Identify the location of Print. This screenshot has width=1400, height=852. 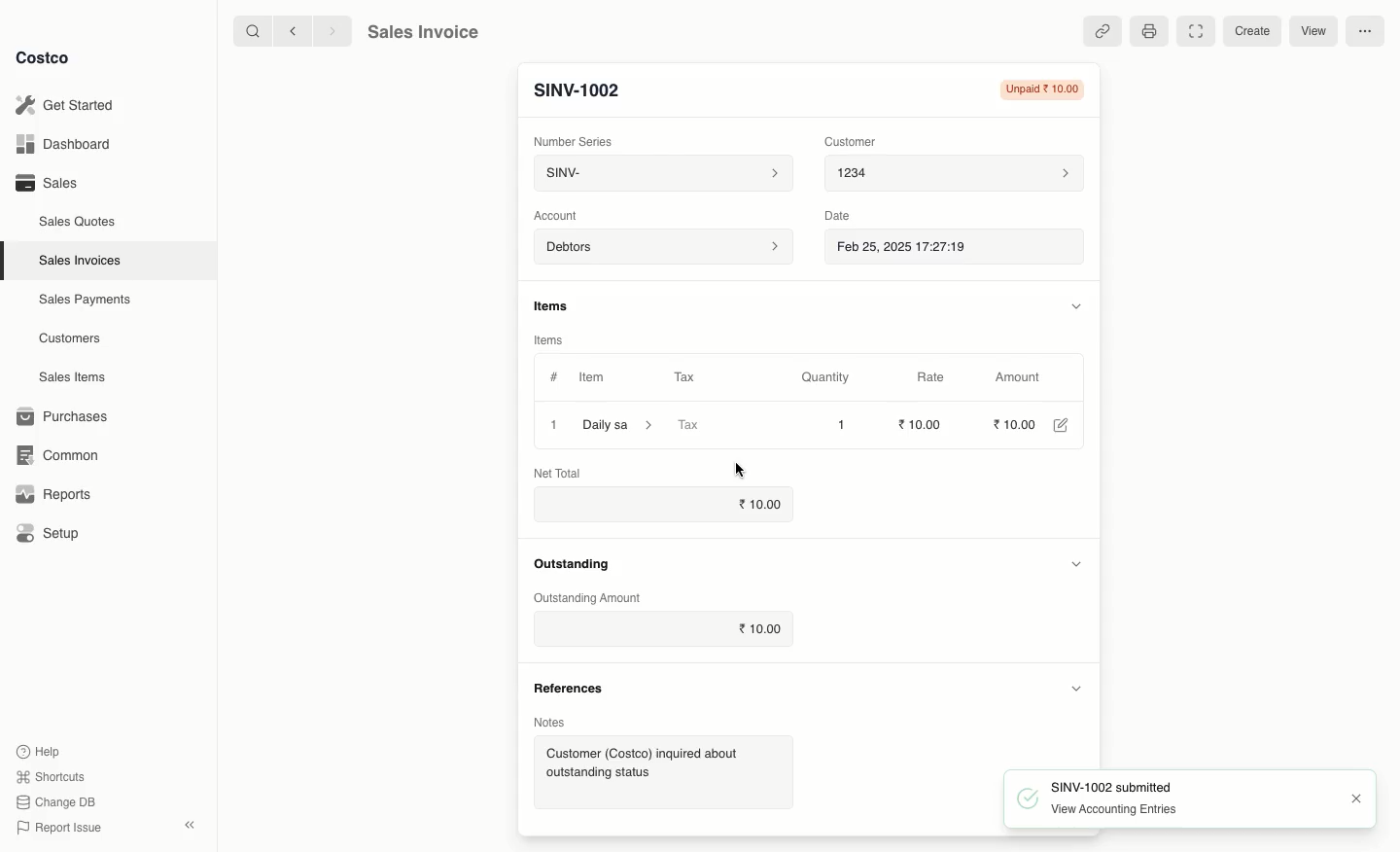
(1150, 32).